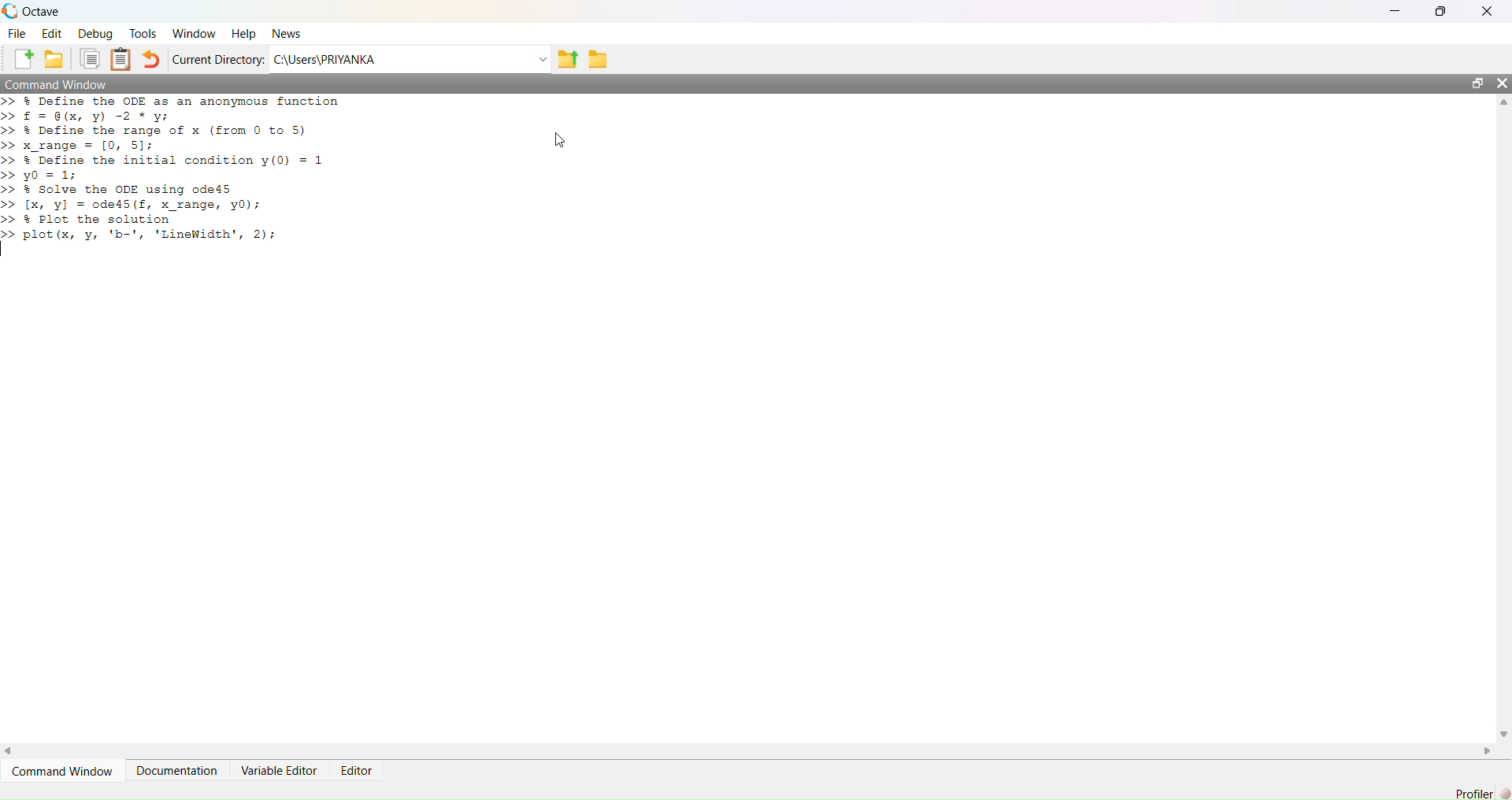 The image size is (1512, 800). What do you see at coordinates (1502, 83) in the screenshot?
I see `Hide Widget` at bounding box center [1502, 83].